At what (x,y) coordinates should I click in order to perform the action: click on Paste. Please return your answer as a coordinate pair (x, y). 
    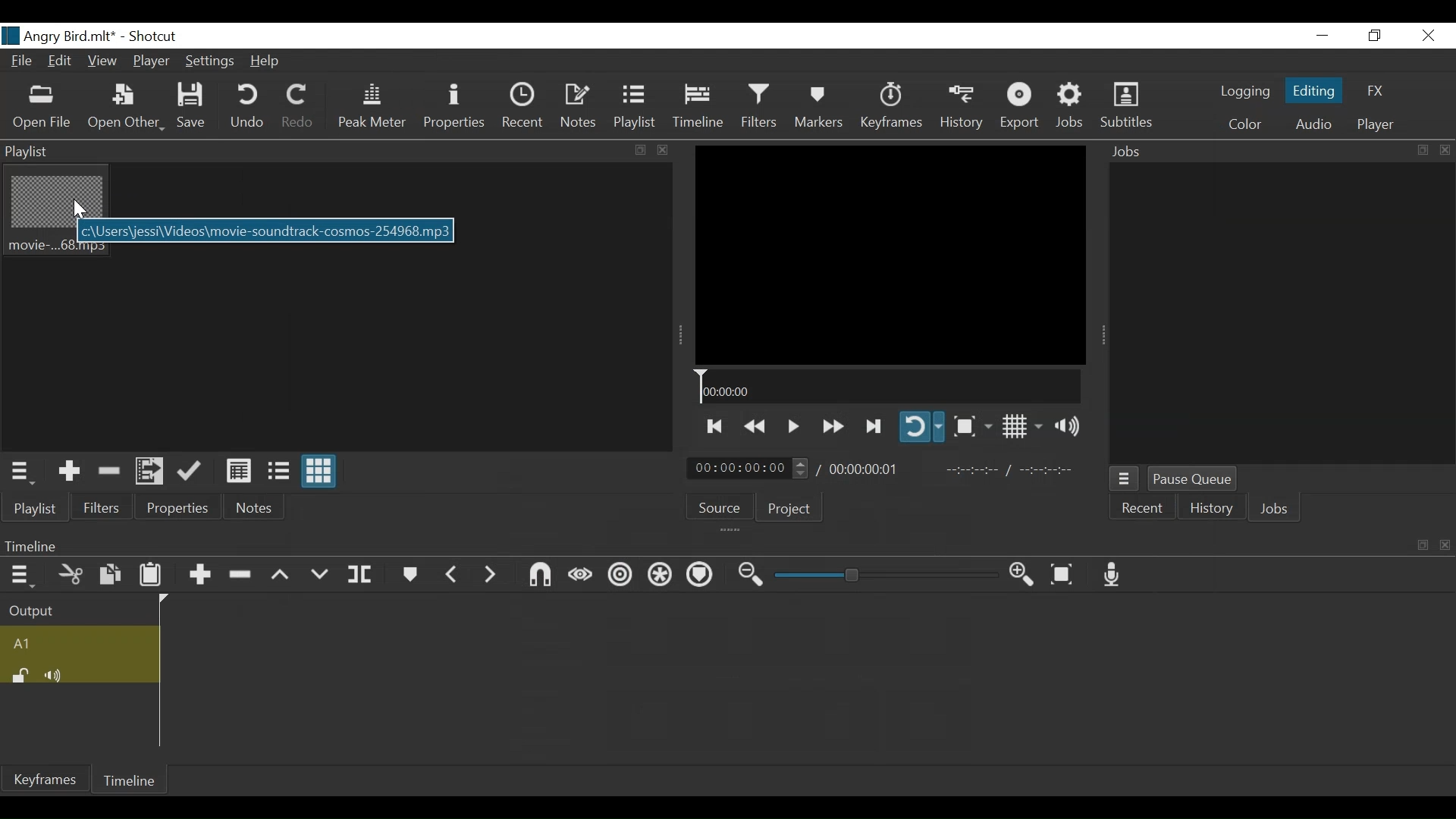
    Looking at the image, I should click on (152, 574).